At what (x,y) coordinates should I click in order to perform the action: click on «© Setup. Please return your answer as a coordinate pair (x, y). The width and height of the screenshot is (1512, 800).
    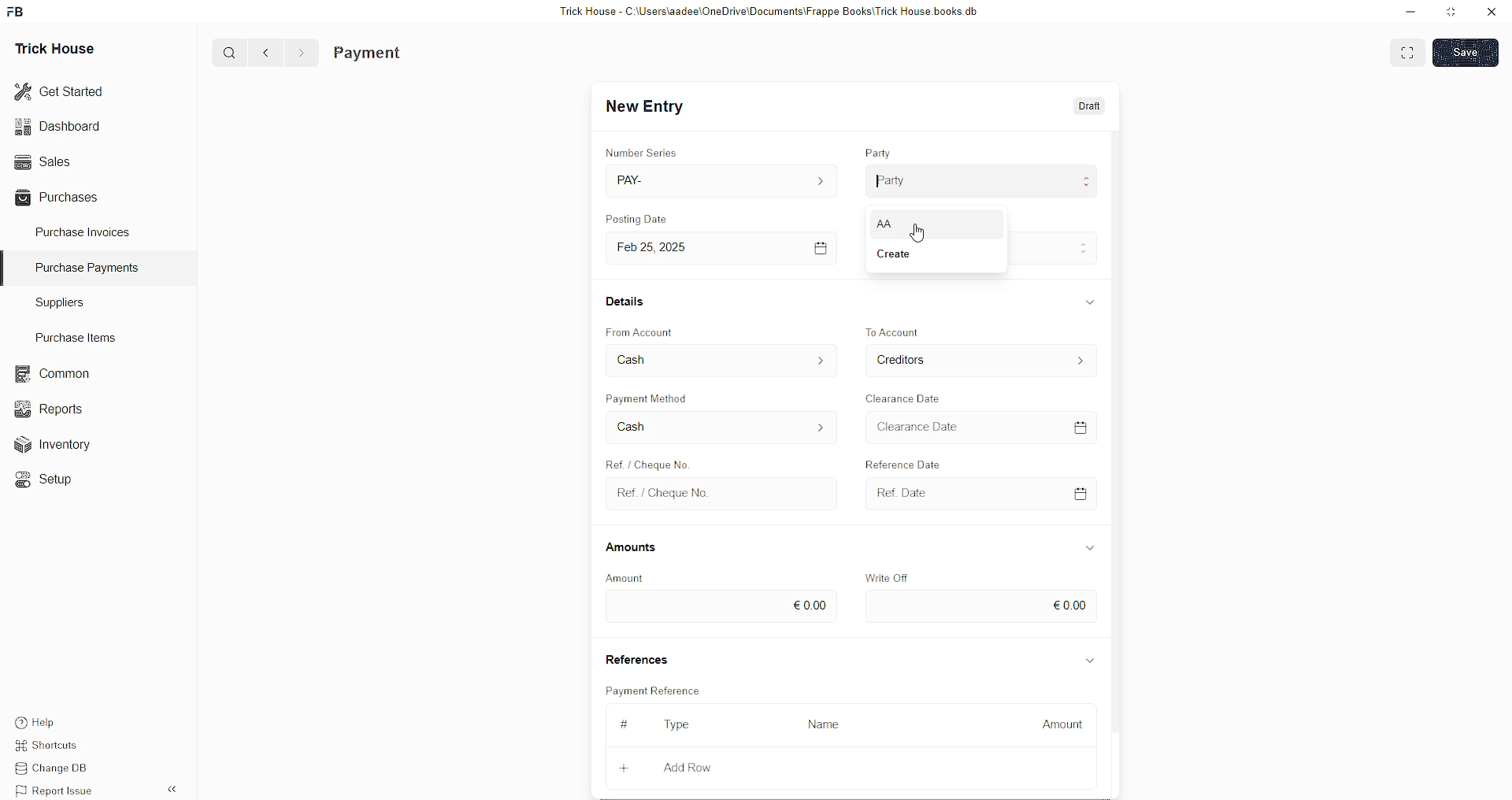
    Looking at the image, I should click on (49, 480).